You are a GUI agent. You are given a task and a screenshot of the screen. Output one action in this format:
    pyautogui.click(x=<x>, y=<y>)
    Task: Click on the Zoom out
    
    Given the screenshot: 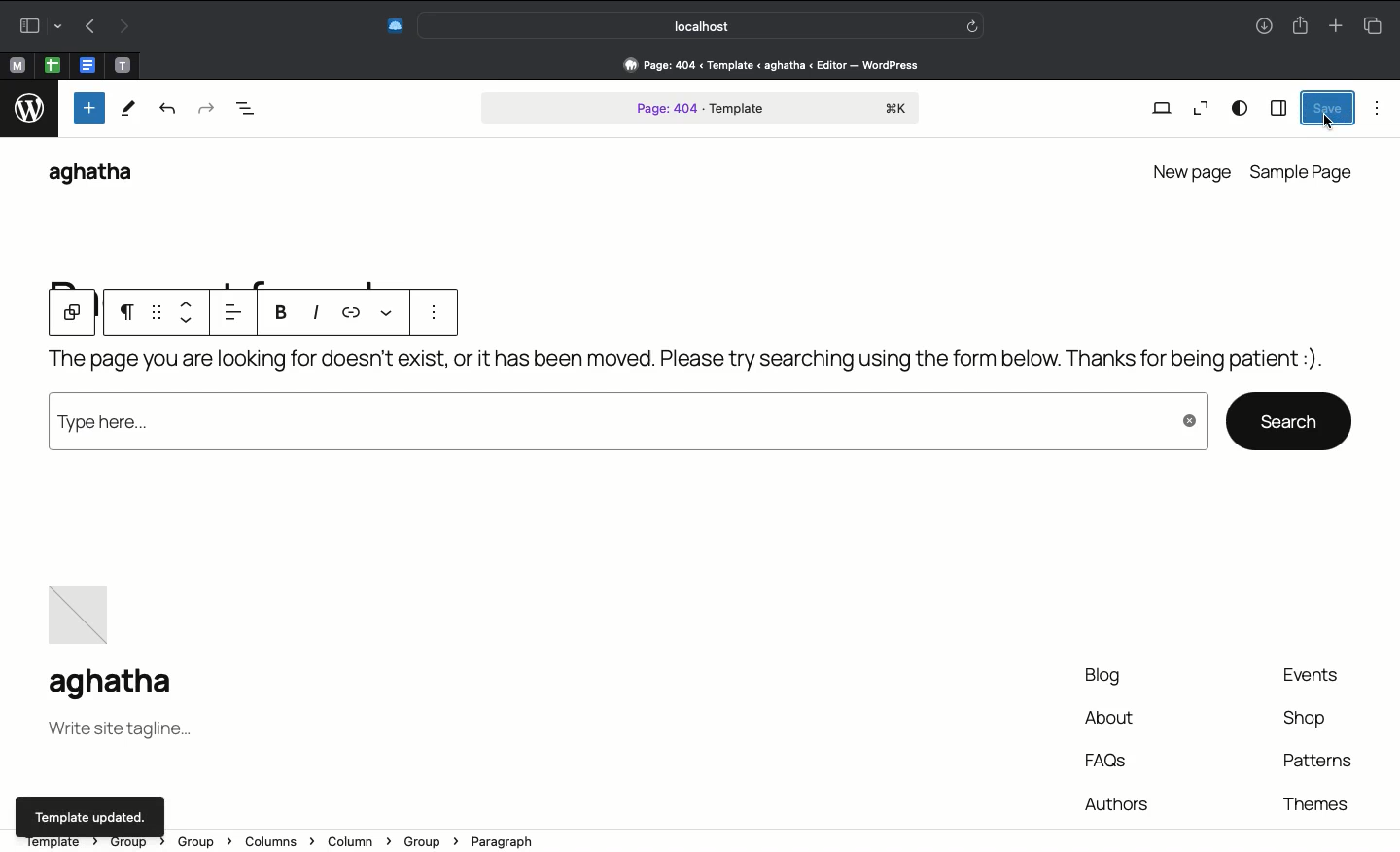 What is the action you would take?
    pyautogui.click(x=1198, y=109)
    